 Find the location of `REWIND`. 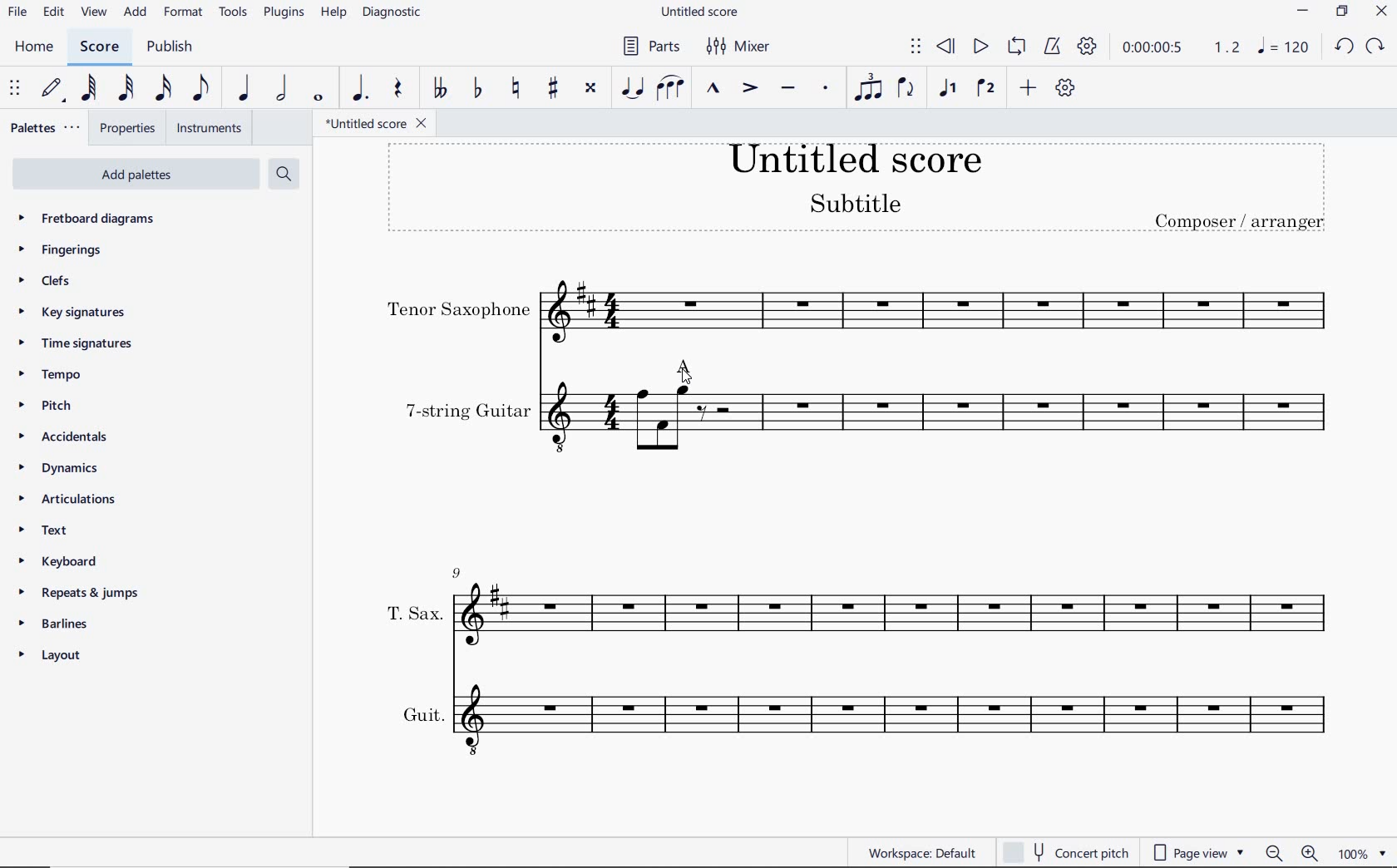

REWIND is located at coordinates (945, 46).